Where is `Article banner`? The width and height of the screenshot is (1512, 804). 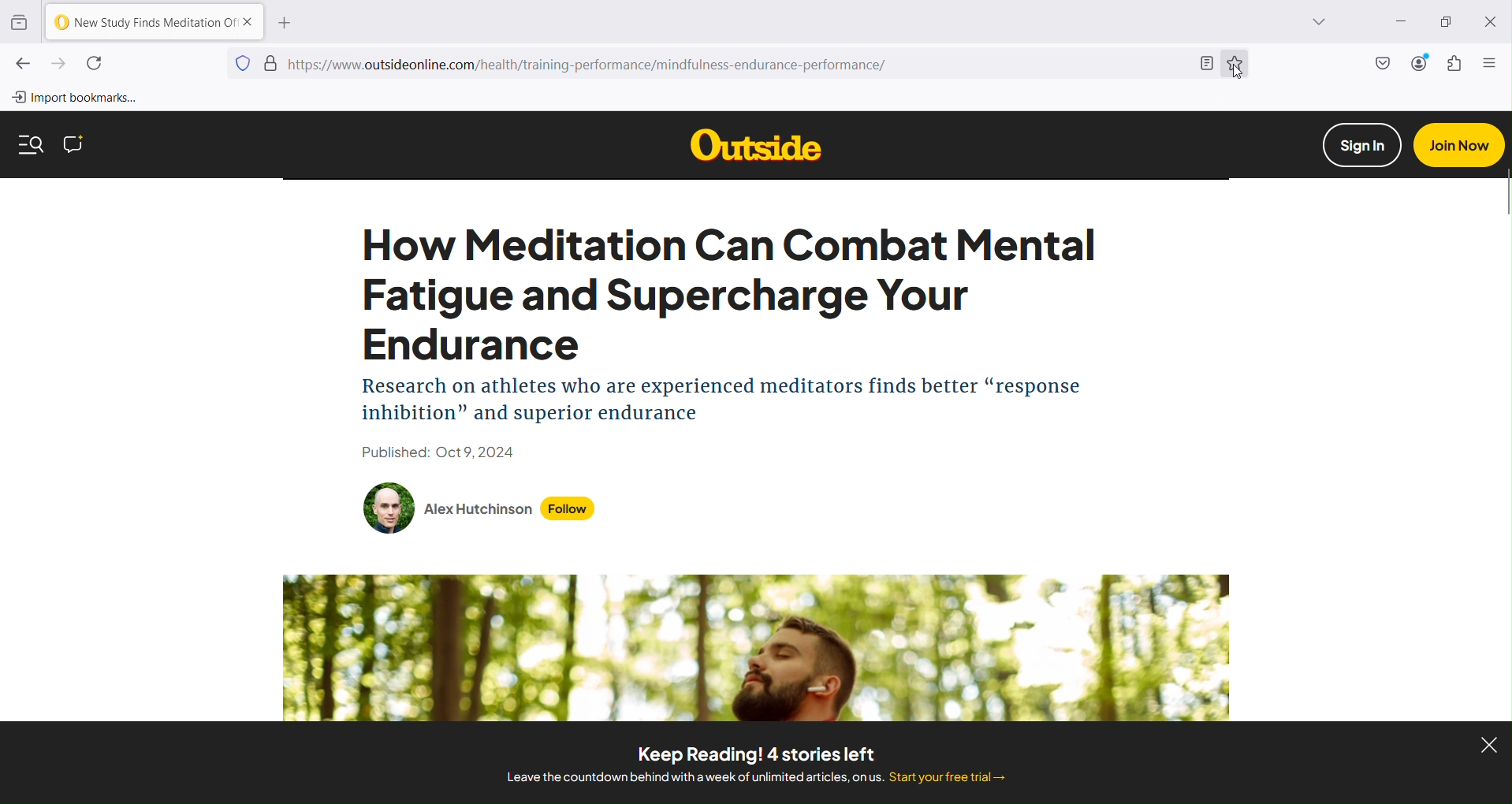 Article banner is located at coordinates (758, 647).